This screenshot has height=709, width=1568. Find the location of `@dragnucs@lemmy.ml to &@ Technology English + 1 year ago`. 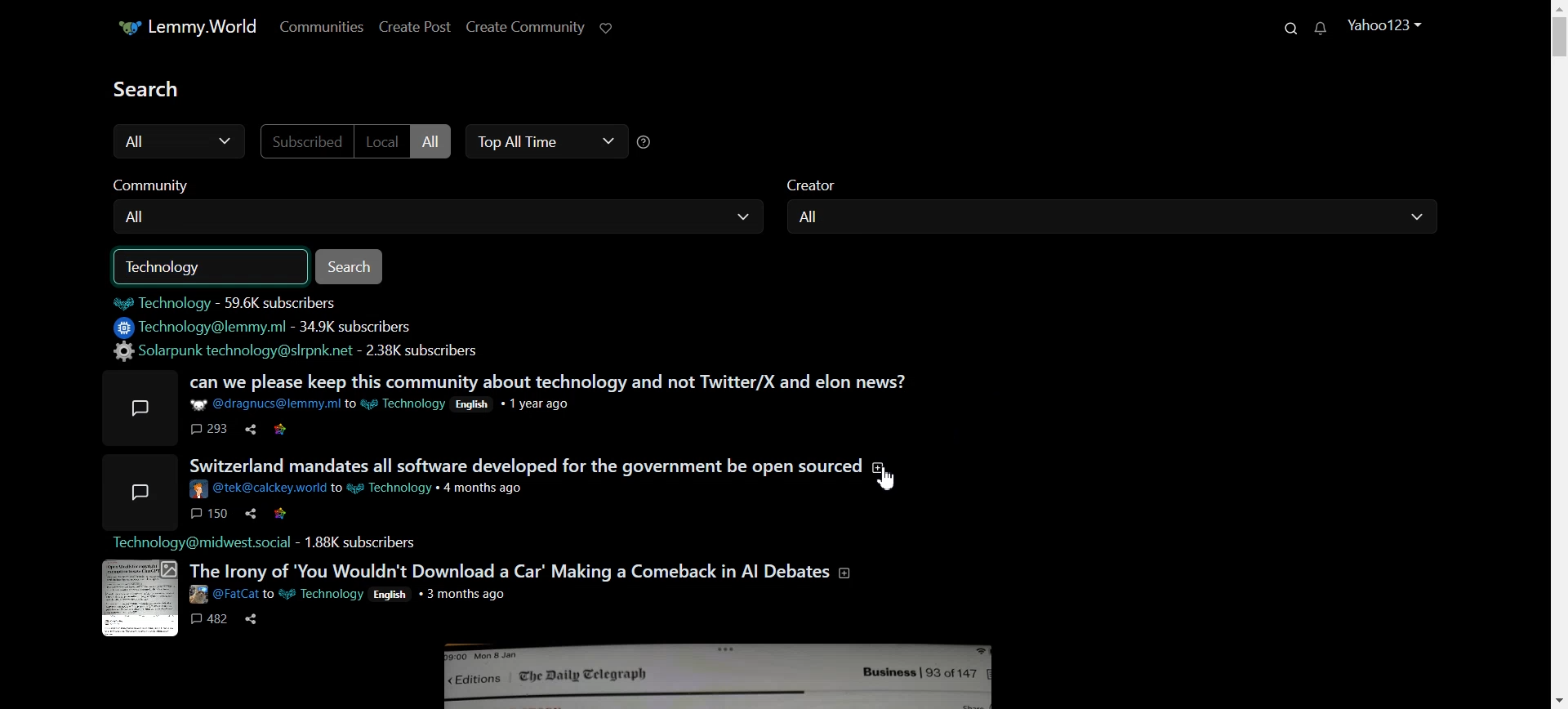

@dragnucs@lemmy.ml to &@ Technology English + 1 year ago is located at coordinates (395, 404).